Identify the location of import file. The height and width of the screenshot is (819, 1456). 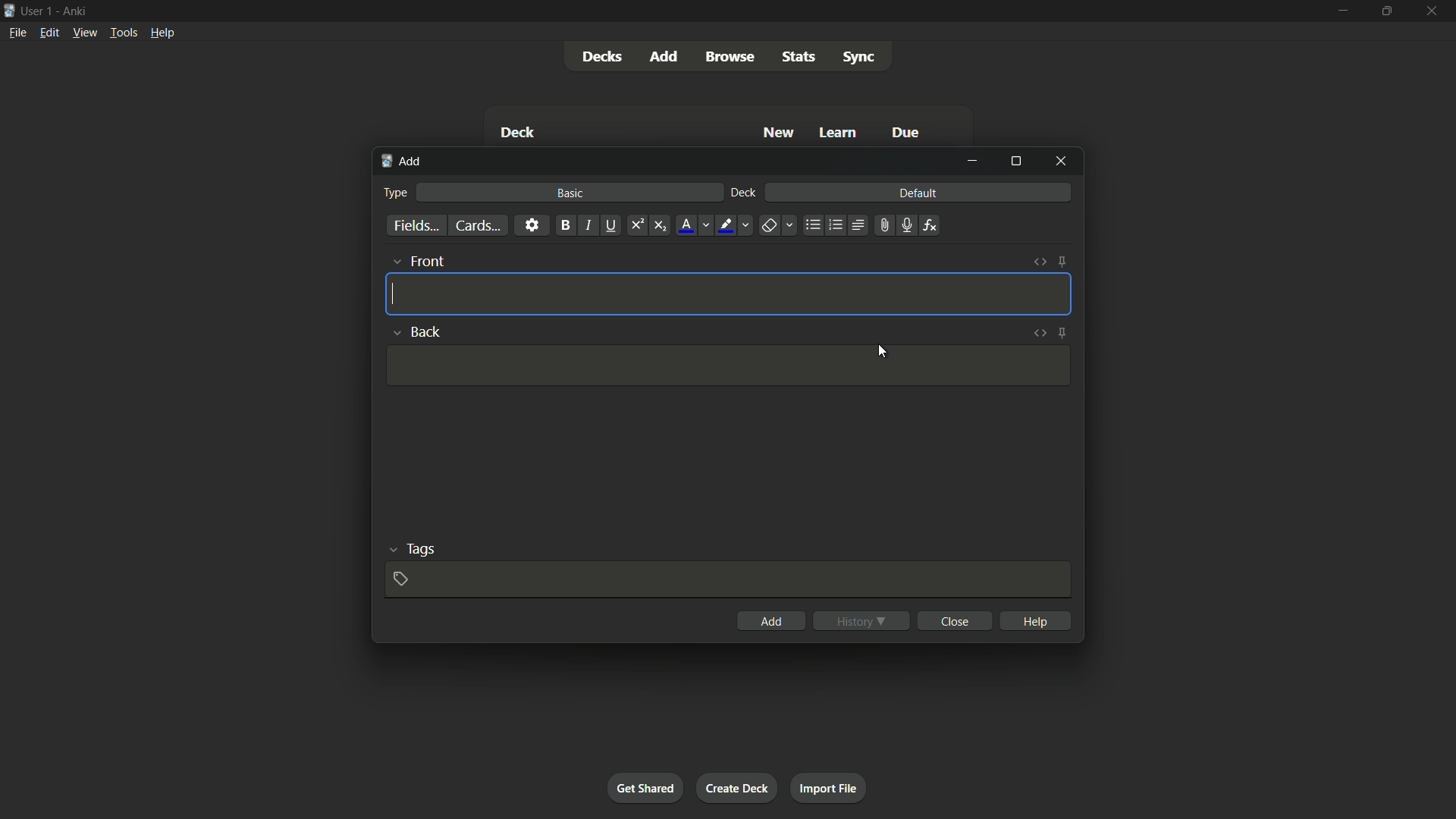
(831, 787).